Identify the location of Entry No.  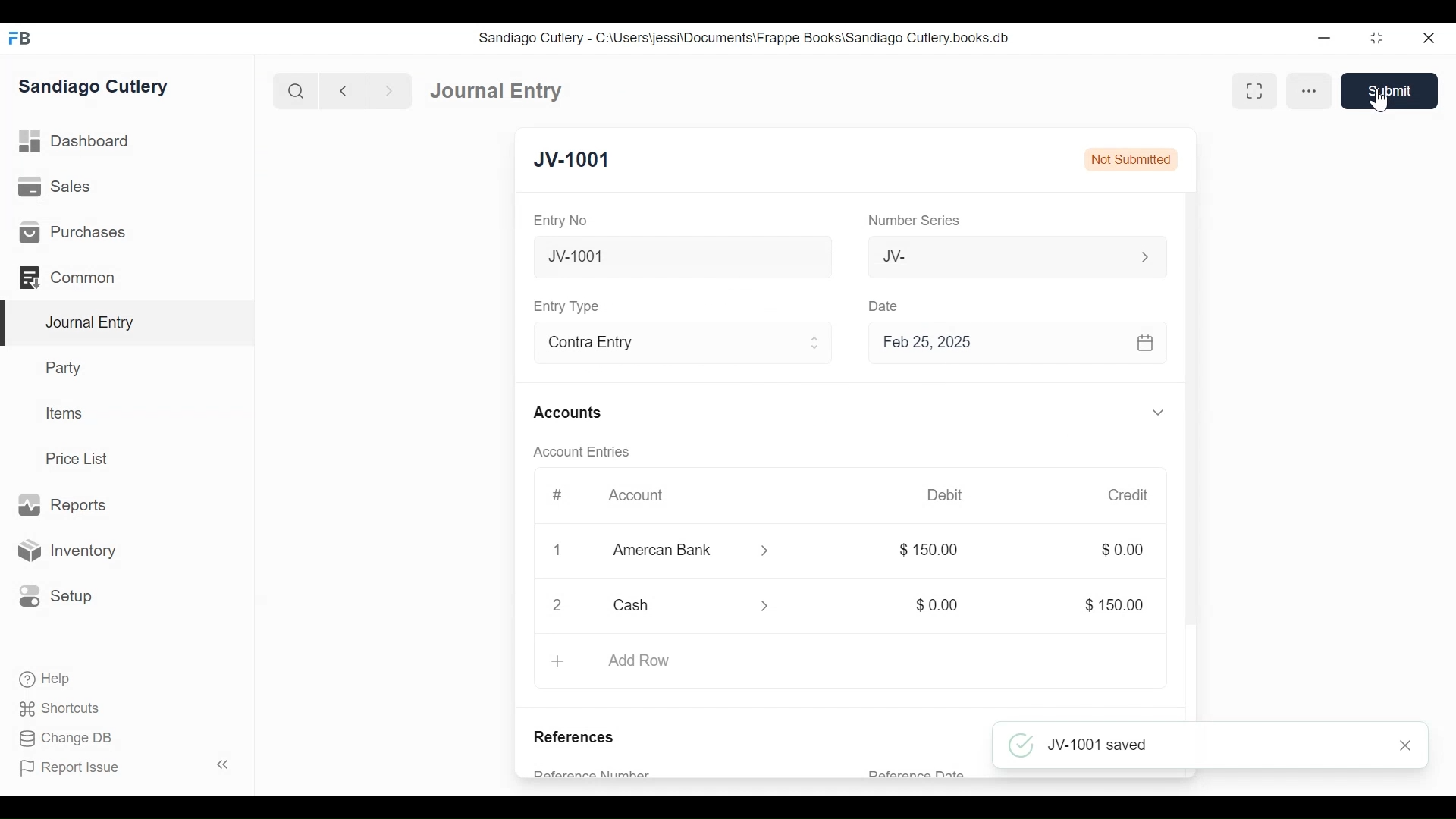
(561, 221).